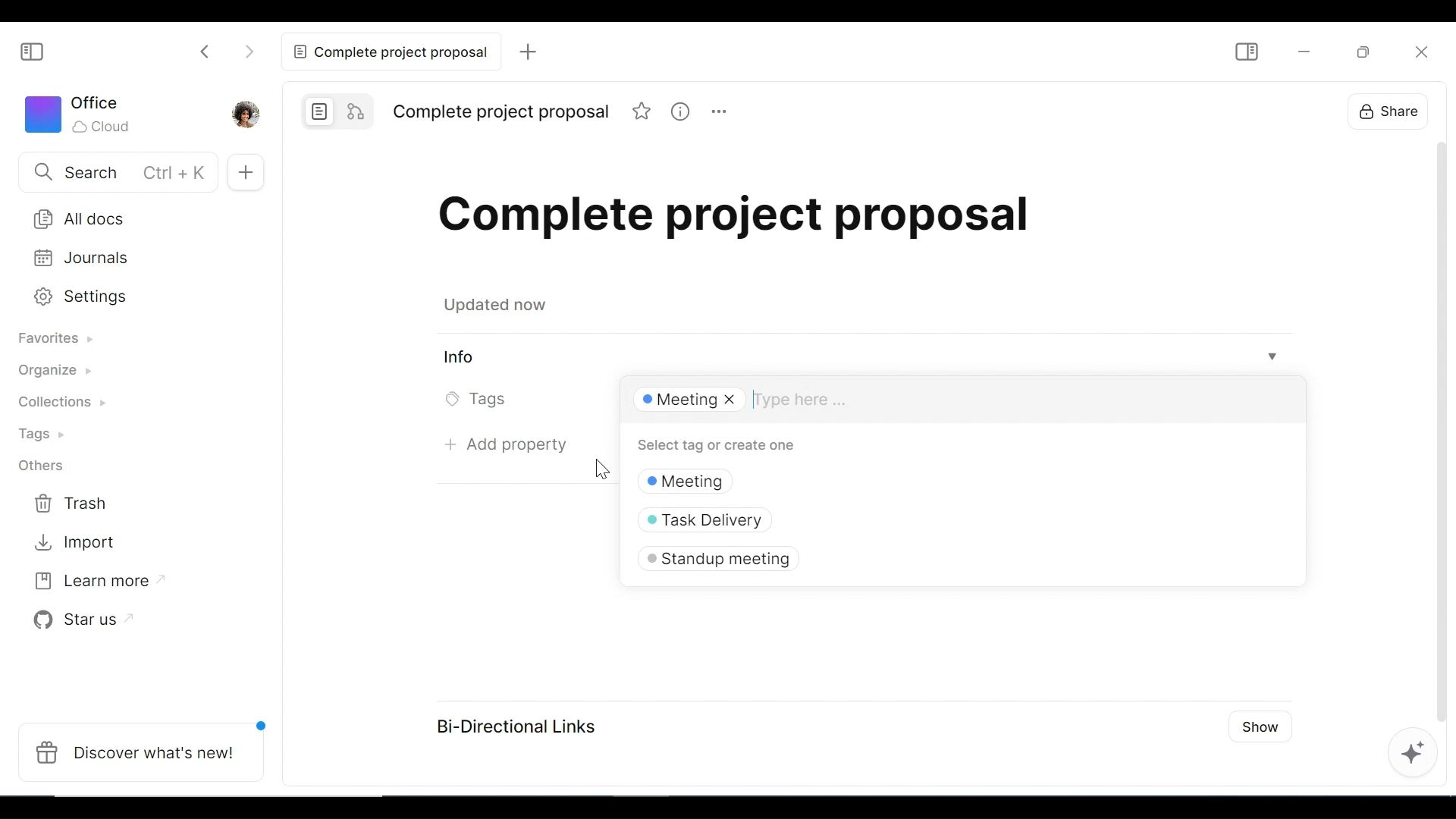  What do you see at coordinates (71, 404) in the screenshot?
I see `Collections` at bounding box center [71, 404].